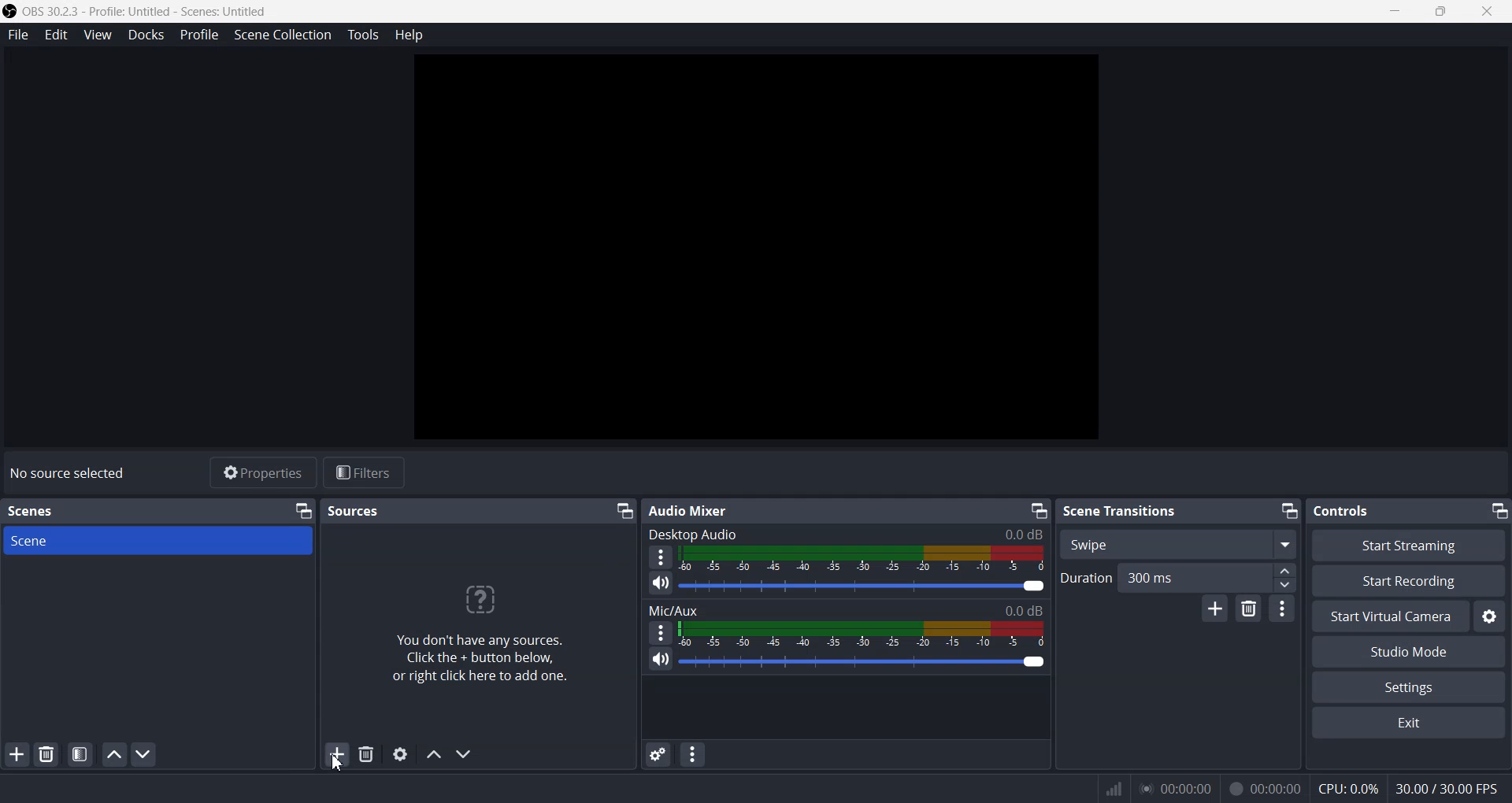 This screenshot has height=803, width=1512. What do you see at coordinates (478, 632) in the screenshot?
I see `Text` at bounding box center [478, 632].